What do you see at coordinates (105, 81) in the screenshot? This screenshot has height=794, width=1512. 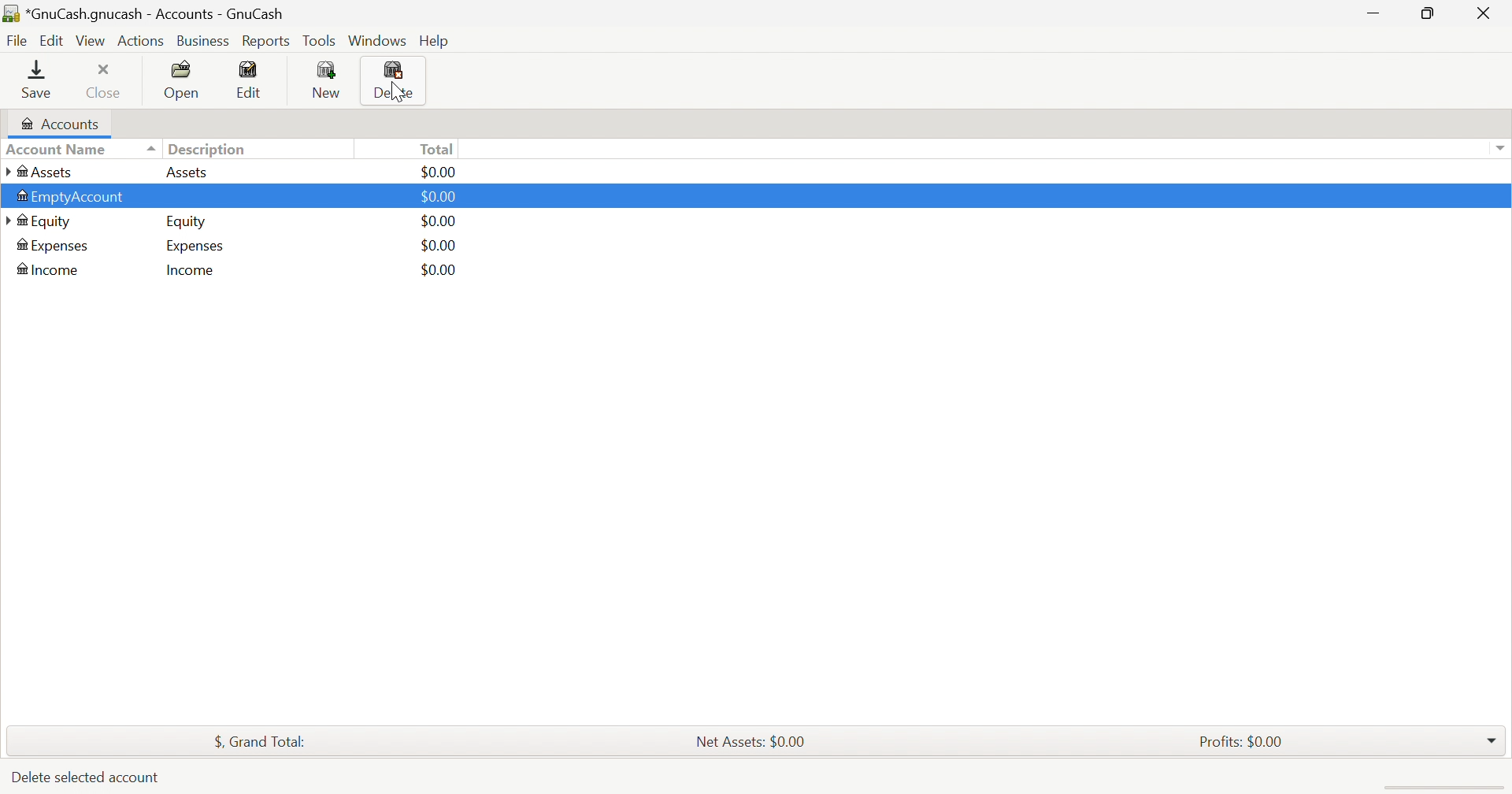 I see `Close` at bounding box center [105, 81].